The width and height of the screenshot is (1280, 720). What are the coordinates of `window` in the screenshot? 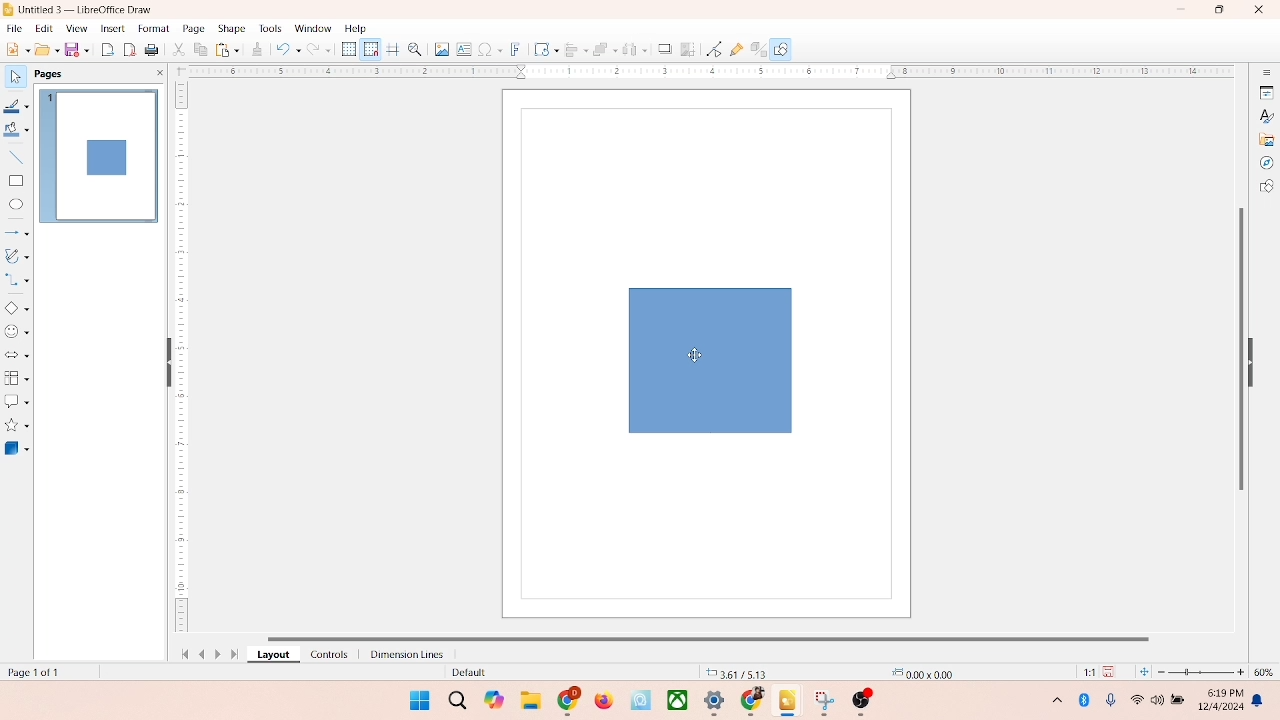 It's located at (312, 29).